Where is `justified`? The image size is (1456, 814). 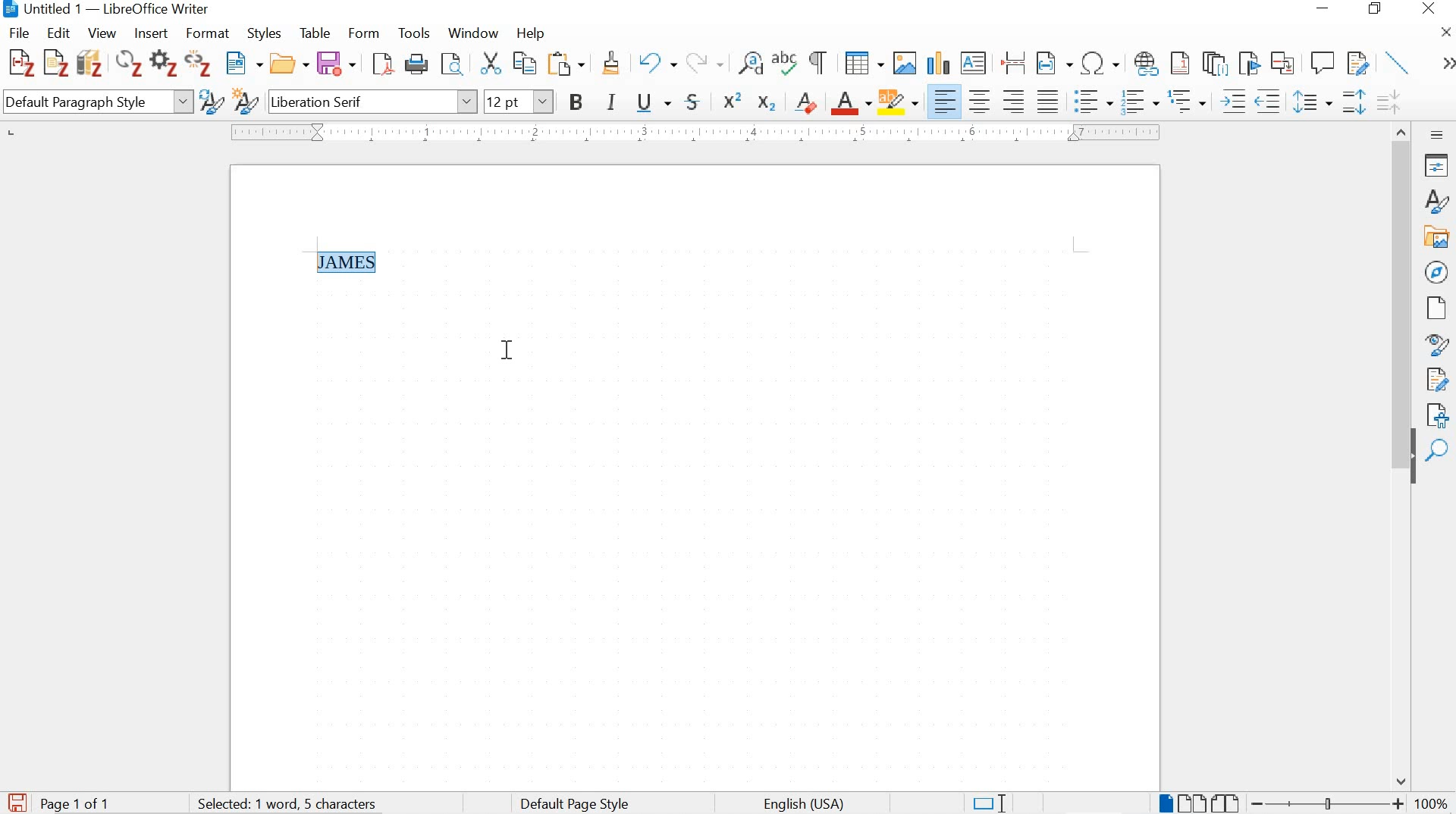 justified is located at coordinates (1048, 99).